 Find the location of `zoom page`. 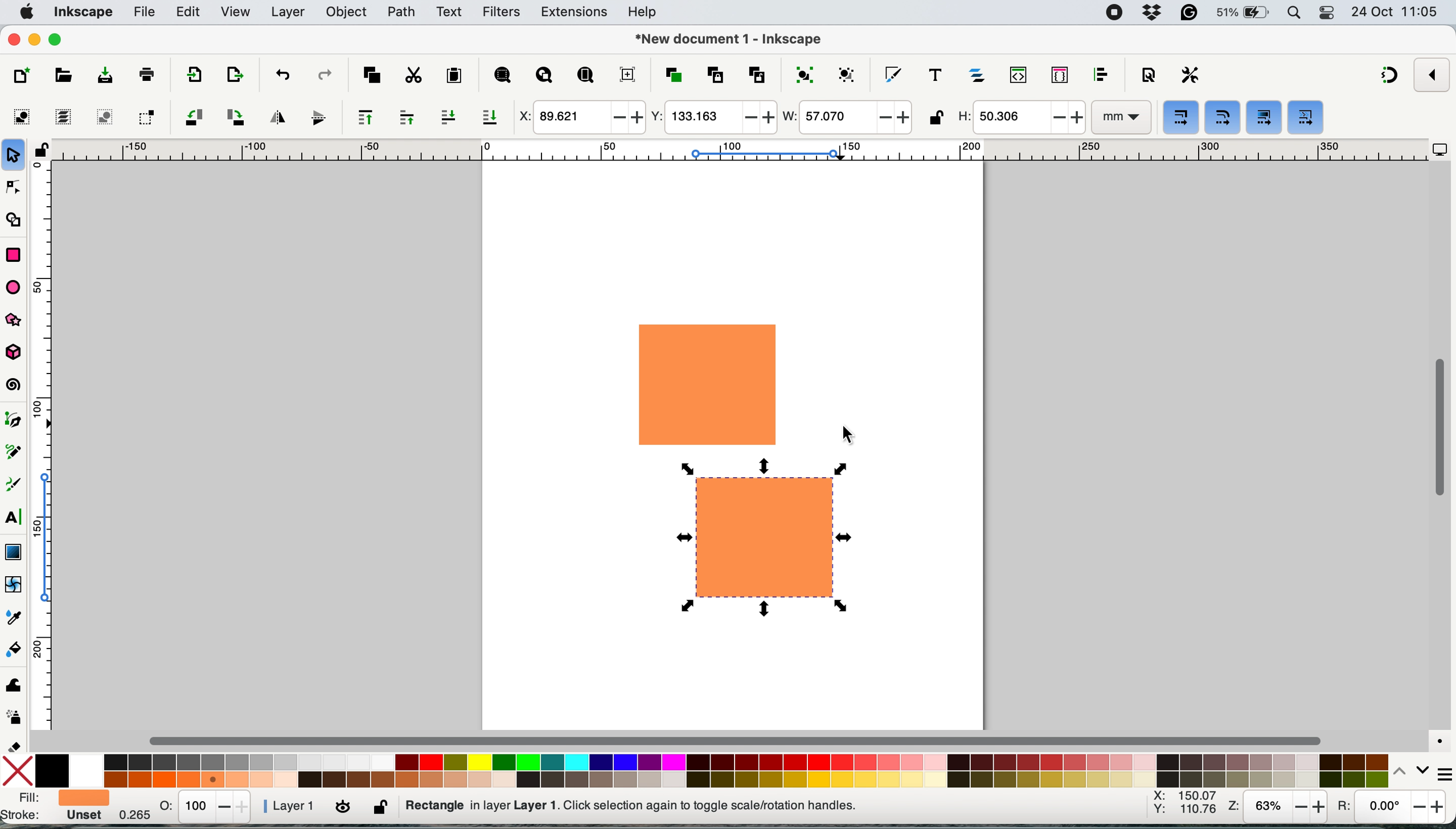

zoom page is located at coordinates (585, 76).